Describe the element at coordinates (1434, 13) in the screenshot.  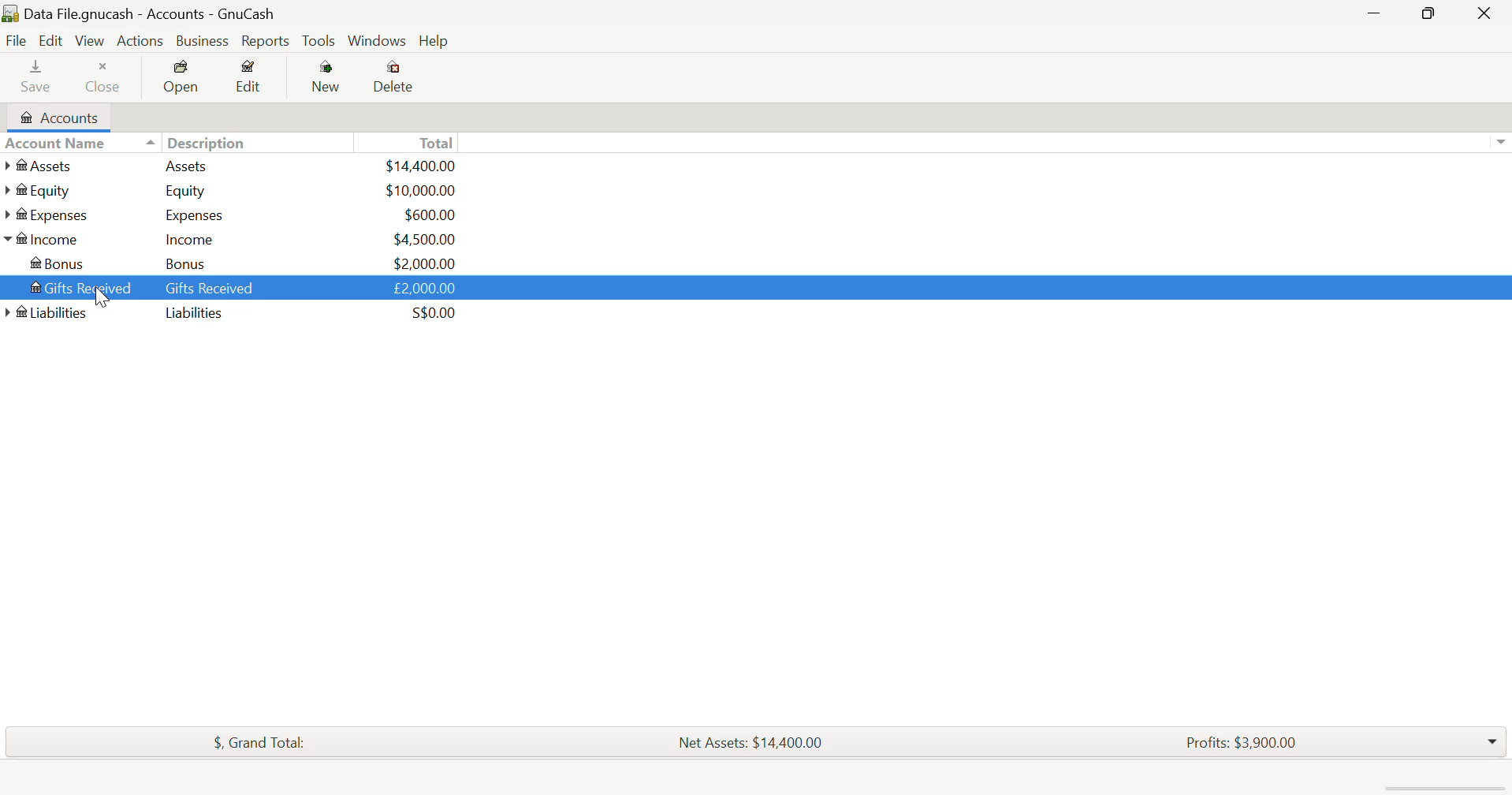
I see `Minimize` at that location.